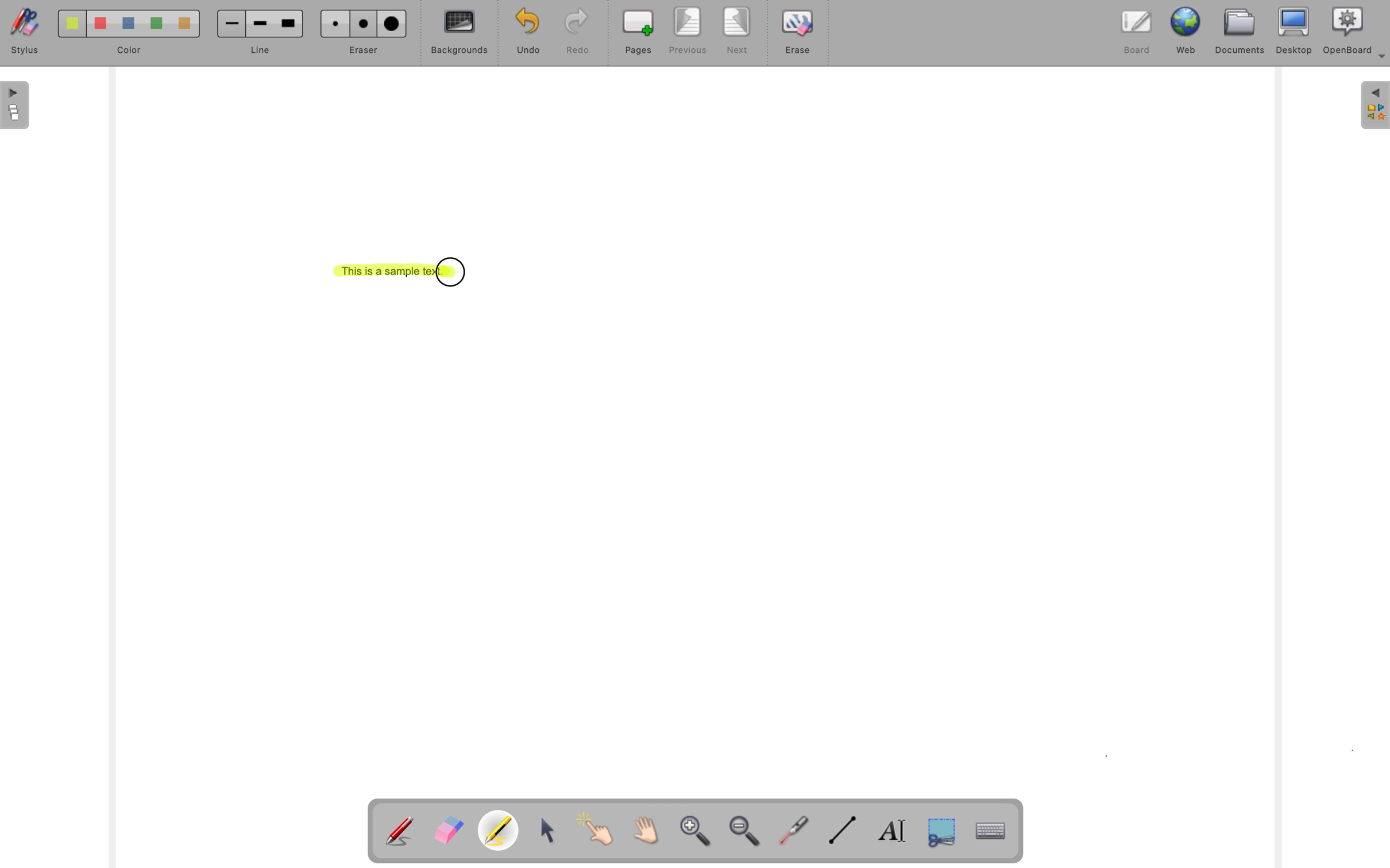  What do you see at coordinates (688, 31) in the screenshot?
I see `previous` at bounding box center [688, 31].